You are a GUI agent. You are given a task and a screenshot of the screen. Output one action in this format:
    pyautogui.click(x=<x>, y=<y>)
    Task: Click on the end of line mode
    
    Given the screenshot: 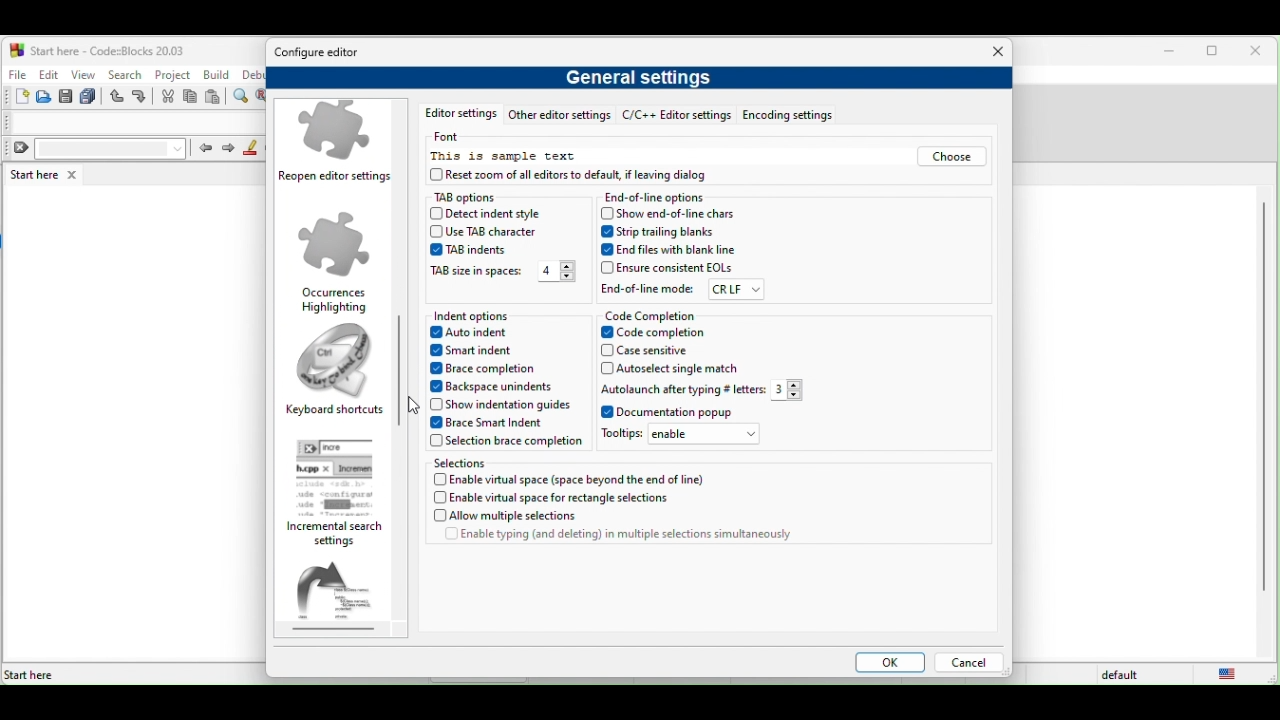 What is the action you would take?
    pyautogui.click(x=648, y=288)
    